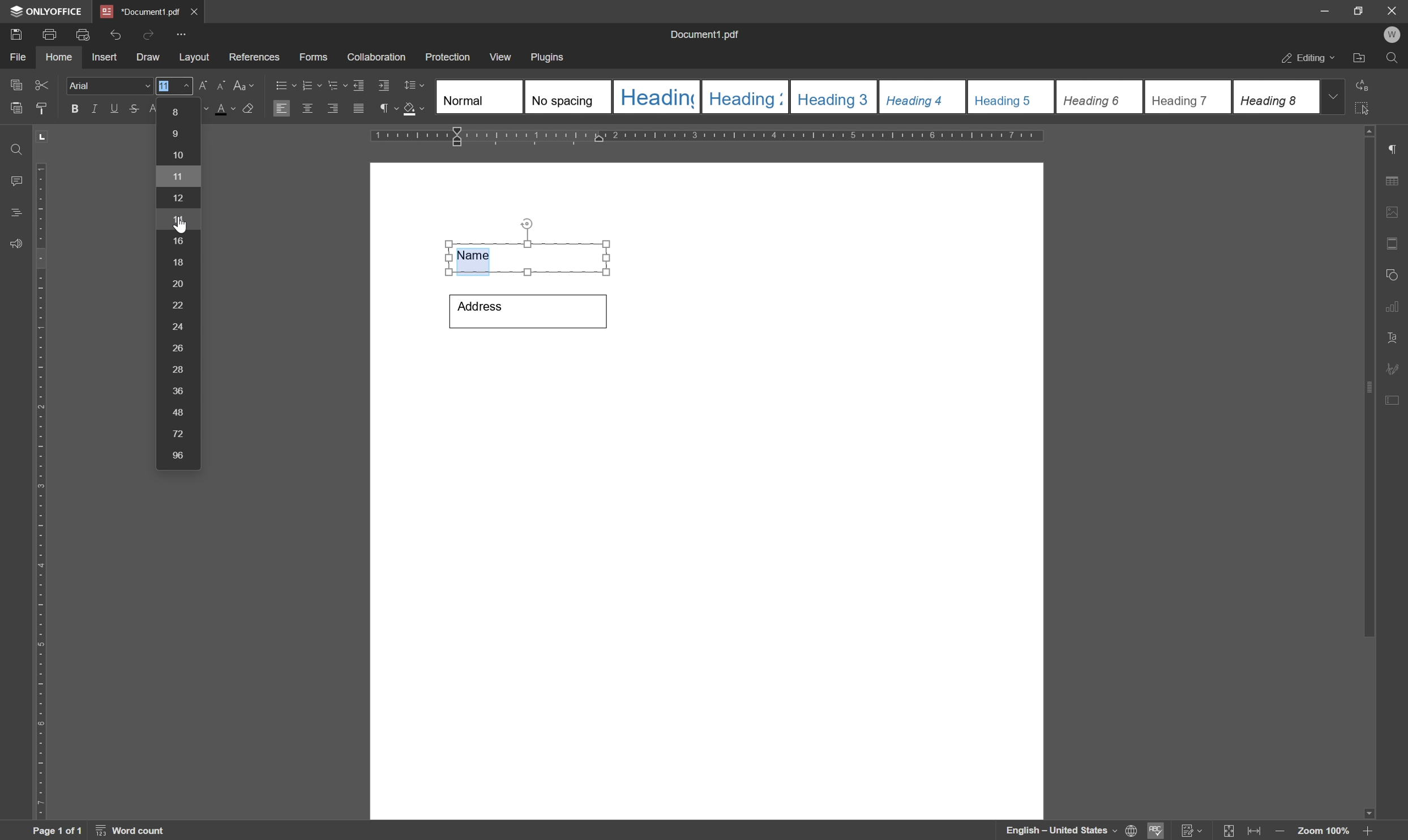  Describe the element at coordinates (502, 57) in the screenshot. I see `view` at that location.